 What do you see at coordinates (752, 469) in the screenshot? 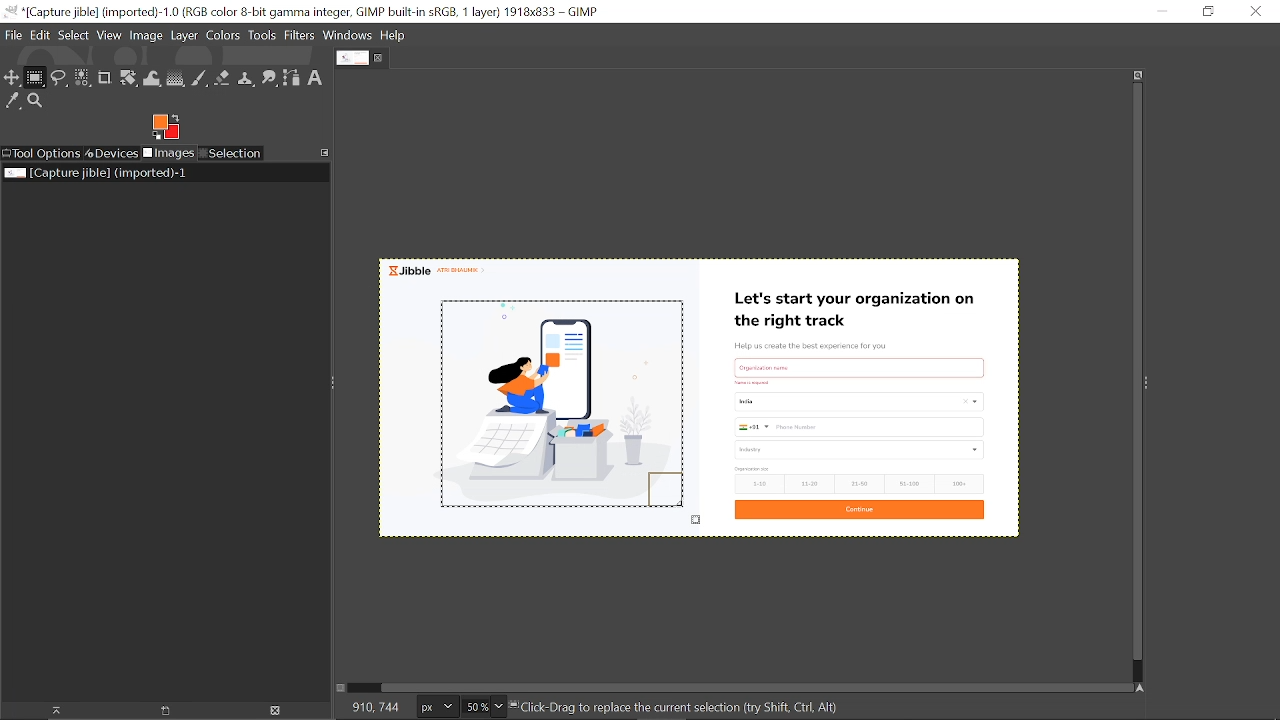
I see `size` at bounding box center [752, 469].